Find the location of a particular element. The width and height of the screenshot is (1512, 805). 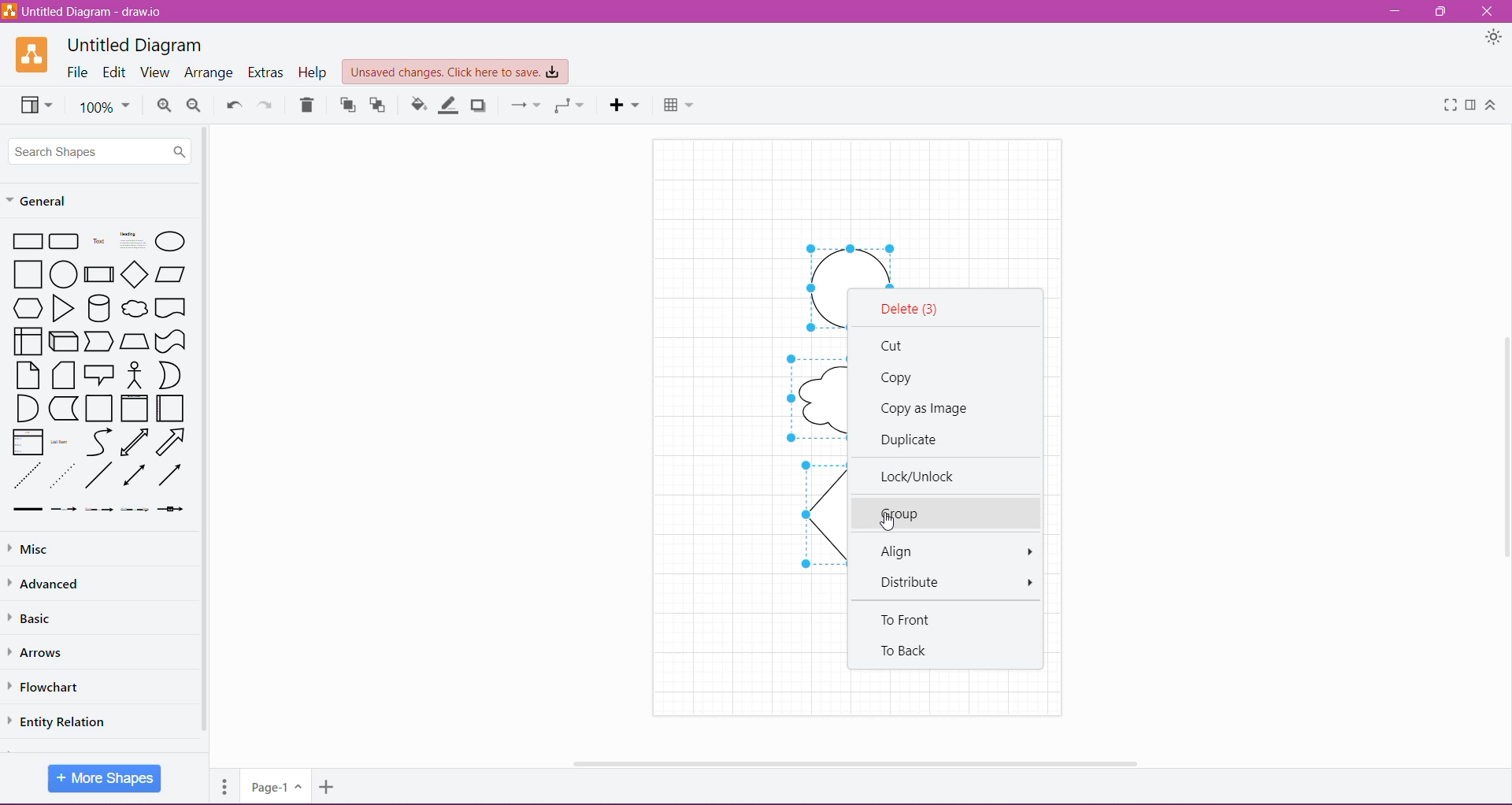

Table is located at coordinates (678, 103).